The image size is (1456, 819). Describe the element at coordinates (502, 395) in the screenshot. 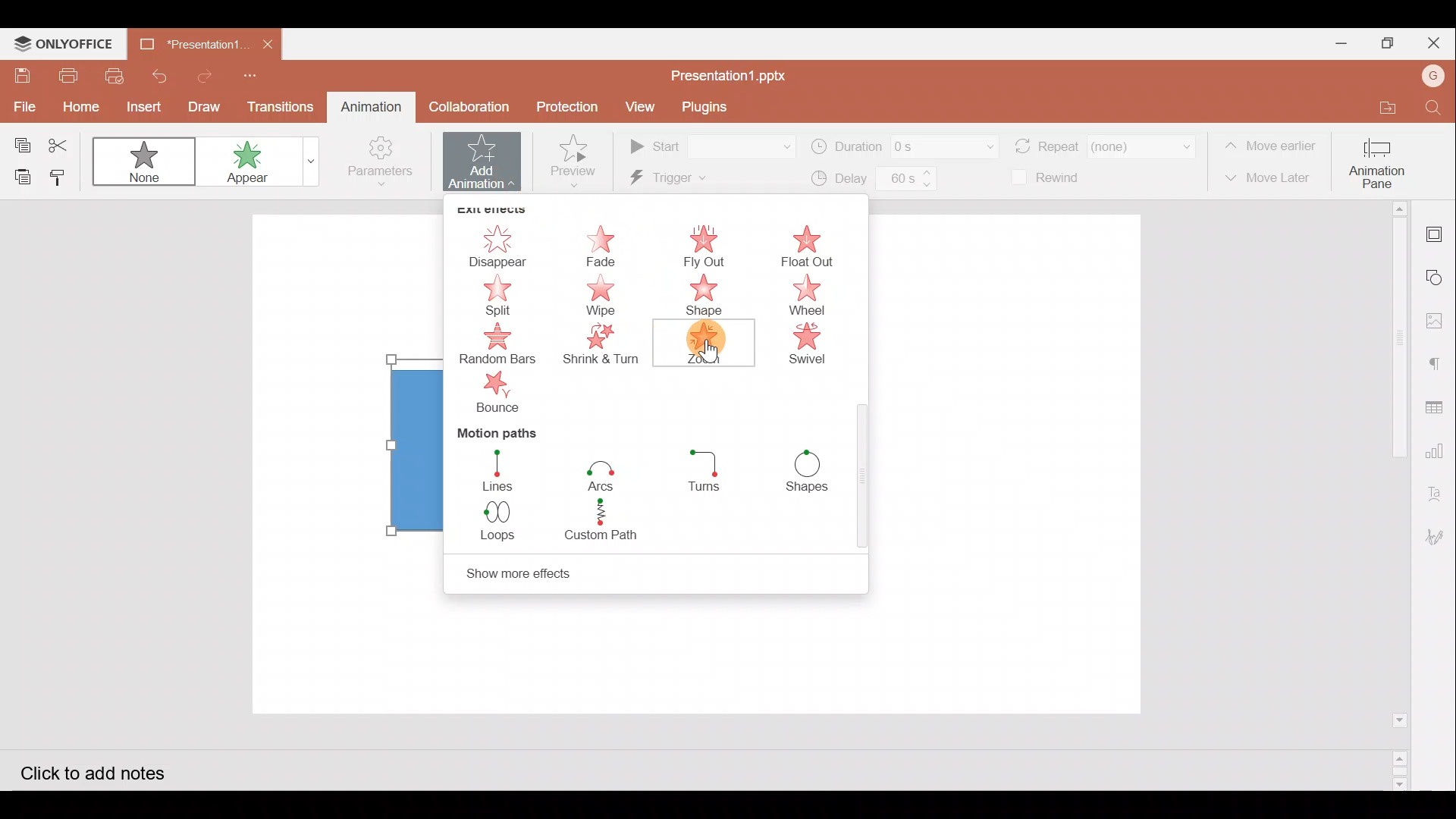

I see `Bounce` at that location.